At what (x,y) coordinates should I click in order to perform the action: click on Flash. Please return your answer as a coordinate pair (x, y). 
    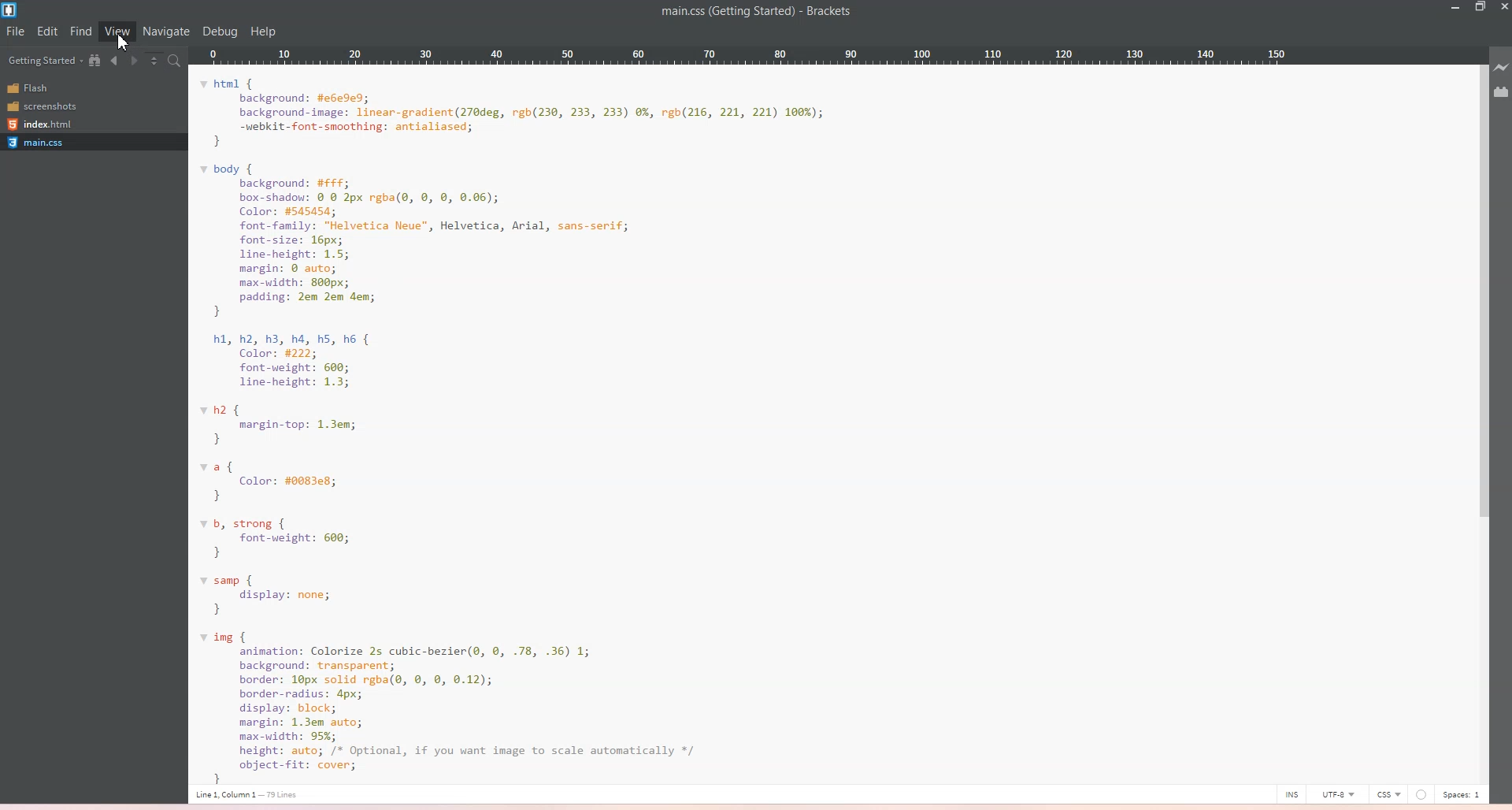
    Looking at the image, I should click on (47, 87).